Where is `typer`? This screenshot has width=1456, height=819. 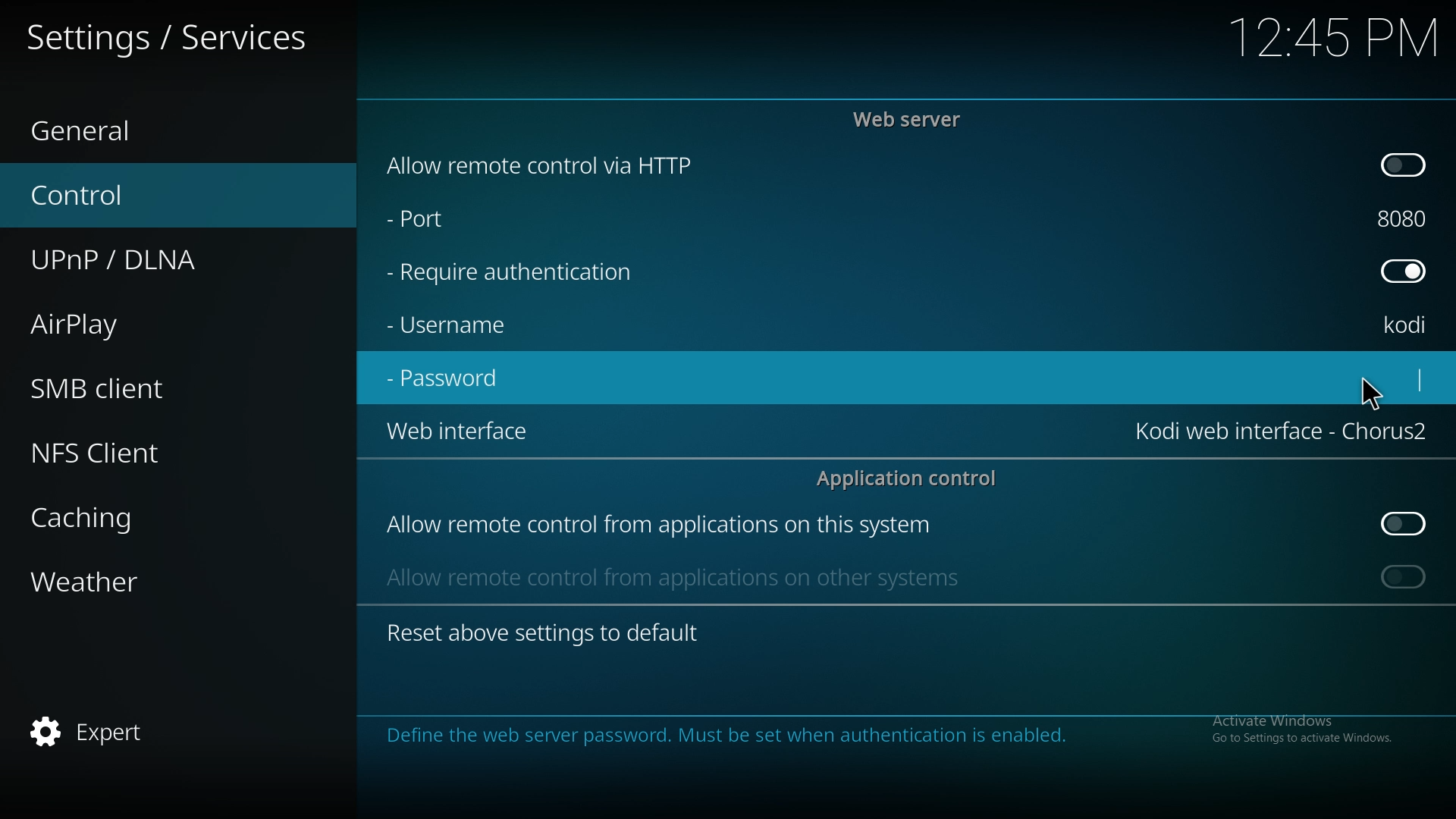
typer is located at coordinates (1423, 375).